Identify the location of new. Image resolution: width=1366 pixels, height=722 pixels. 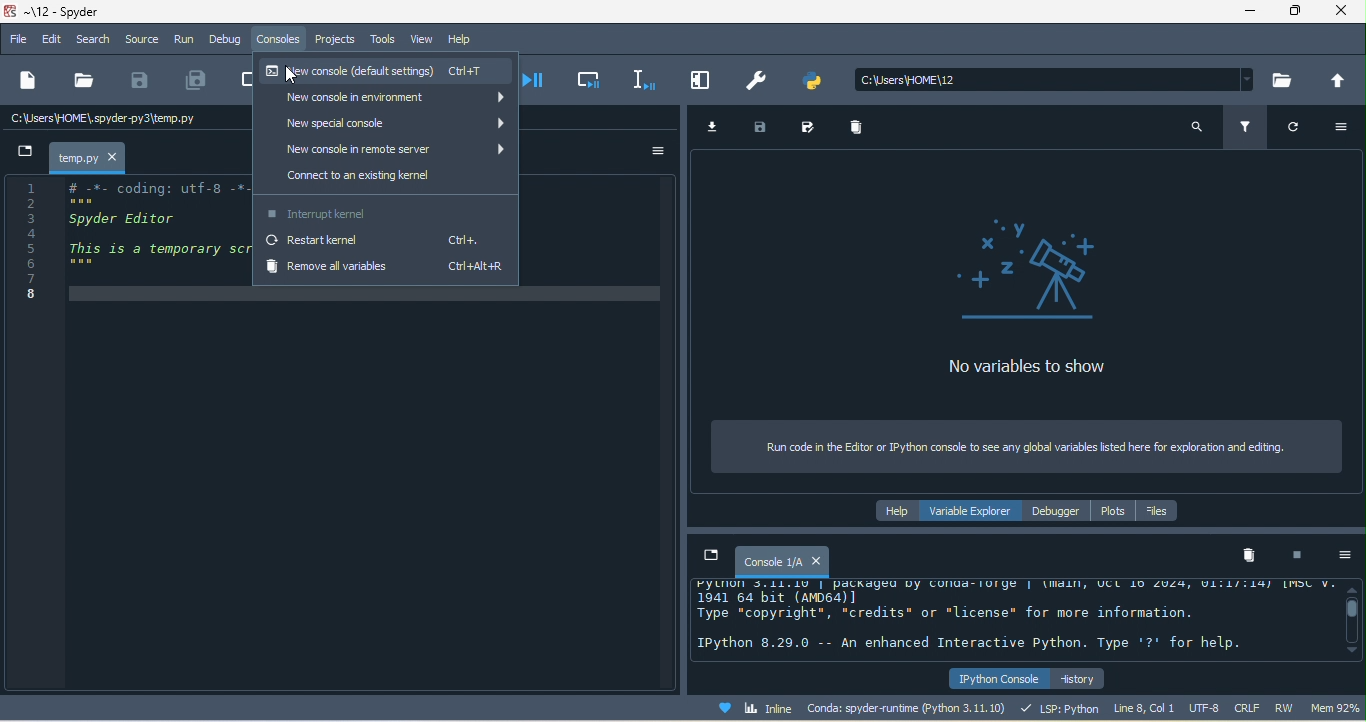
(29, 83).